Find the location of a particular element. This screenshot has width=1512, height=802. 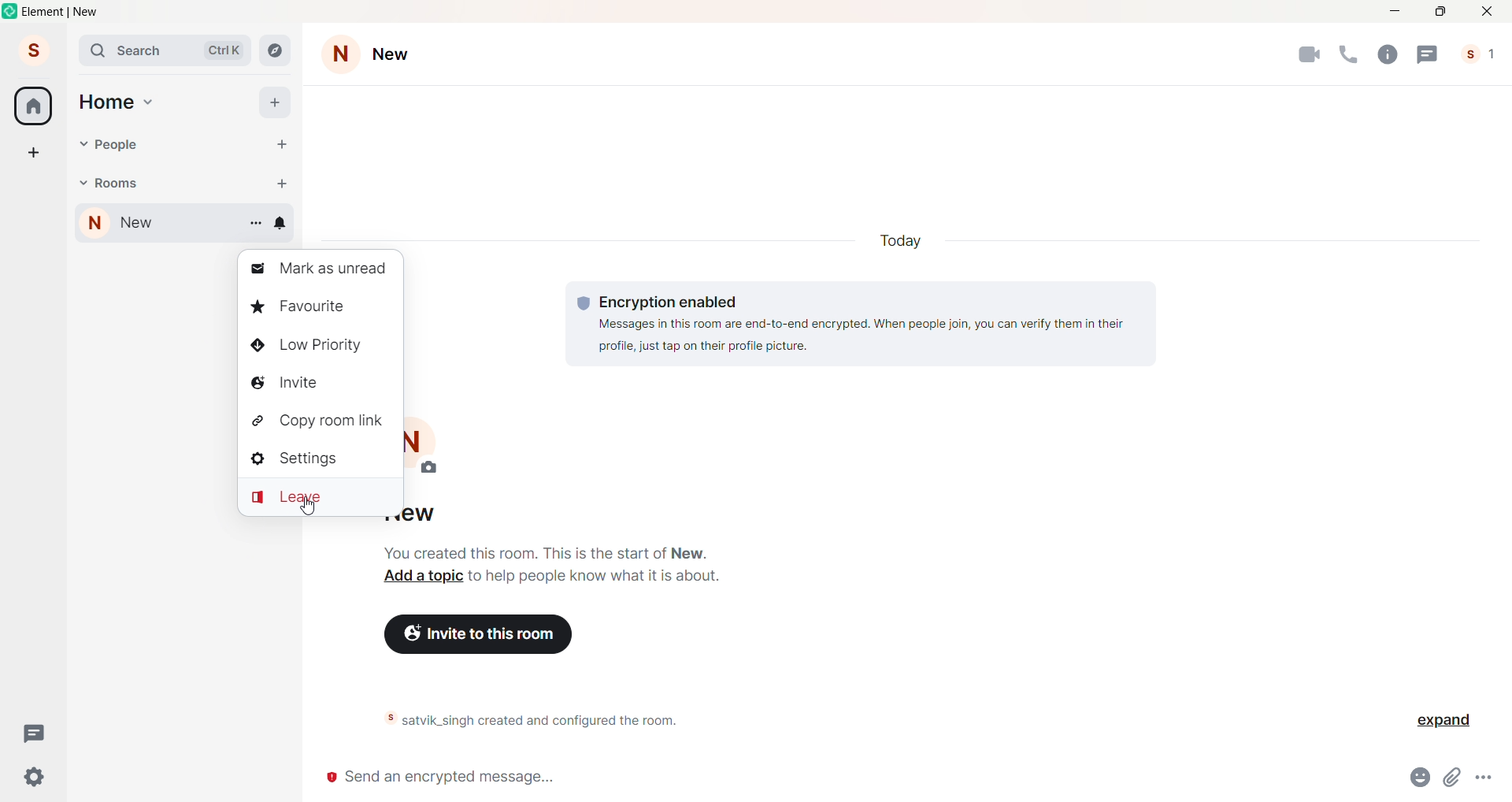

attachments is located at coordinates (1456, 778).